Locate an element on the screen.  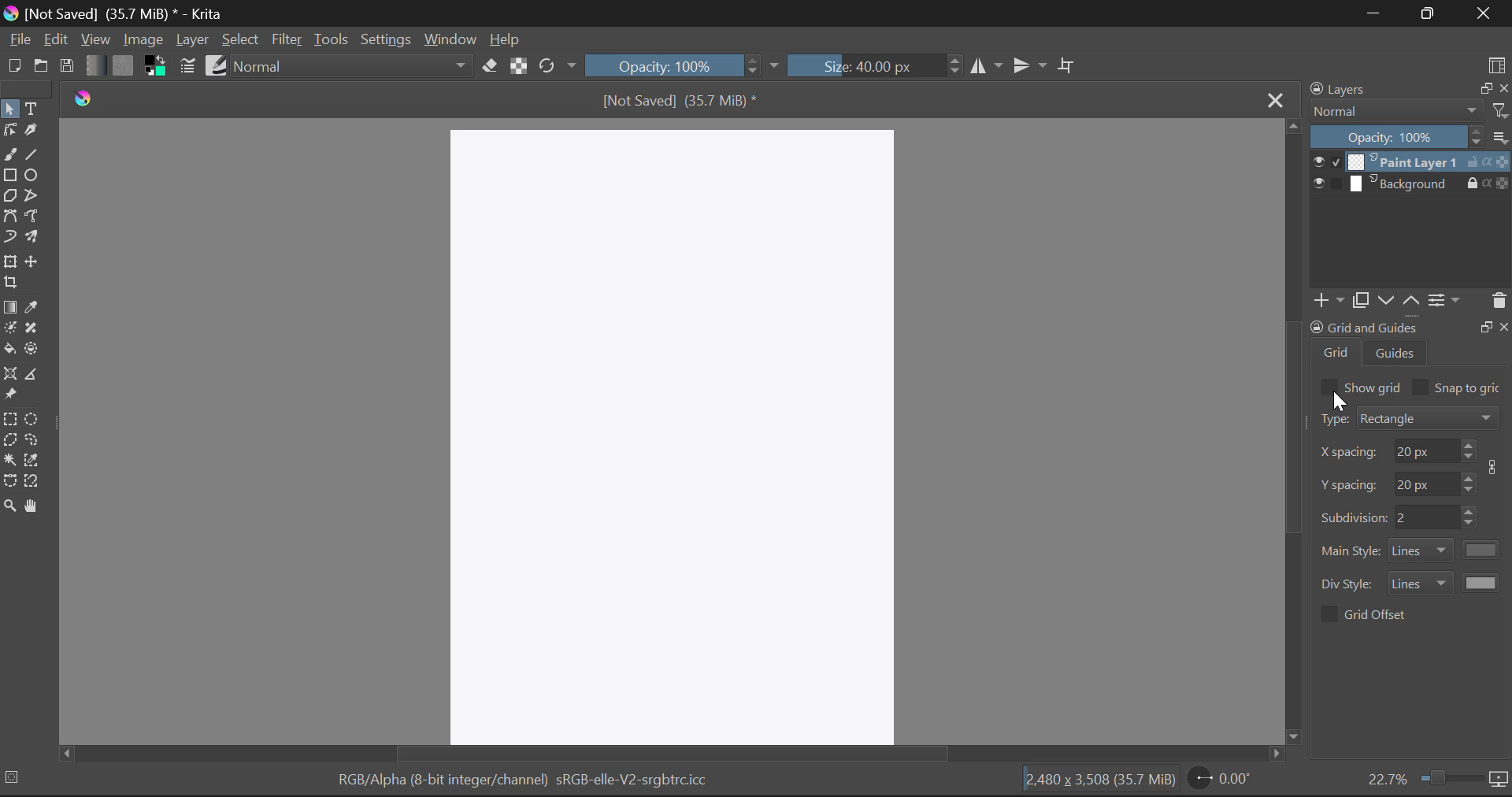
Crop is located at coordinates (10, 283).